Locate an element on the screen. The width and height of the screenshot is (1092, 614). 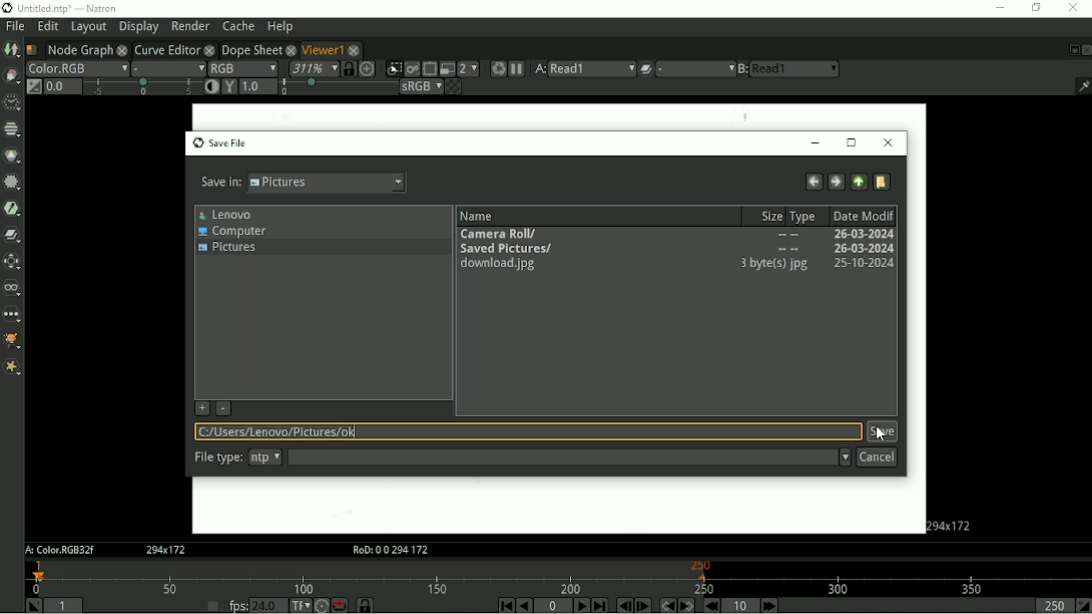
Set the time display format is located at coordinates (299, 606).